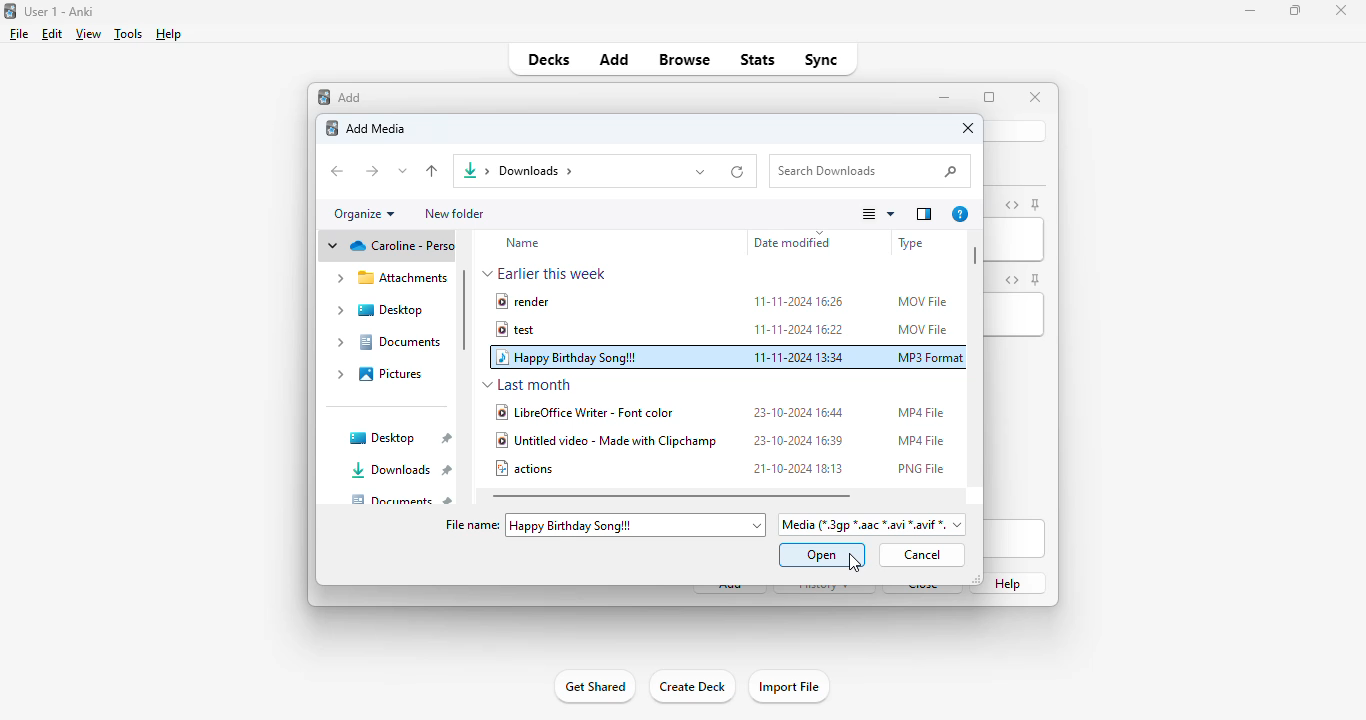 The width and height of the screenshot is (1366, 720). Describe the element at coordinates (801, 357) in the screenshot. I see `11-11-2024` at that location.